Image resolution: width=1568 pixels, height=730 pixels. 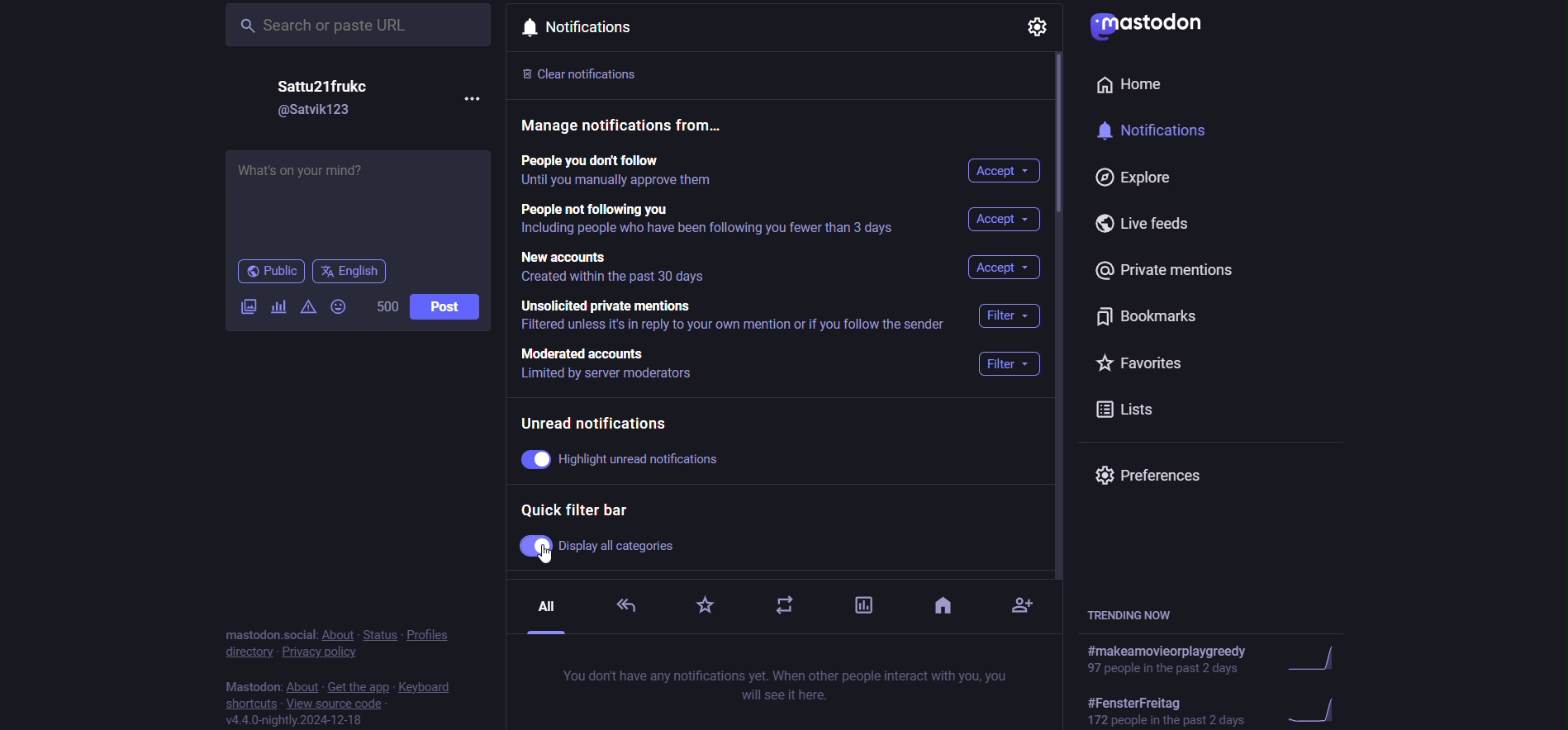 I want to click on home, so click(x=1138, y=85).